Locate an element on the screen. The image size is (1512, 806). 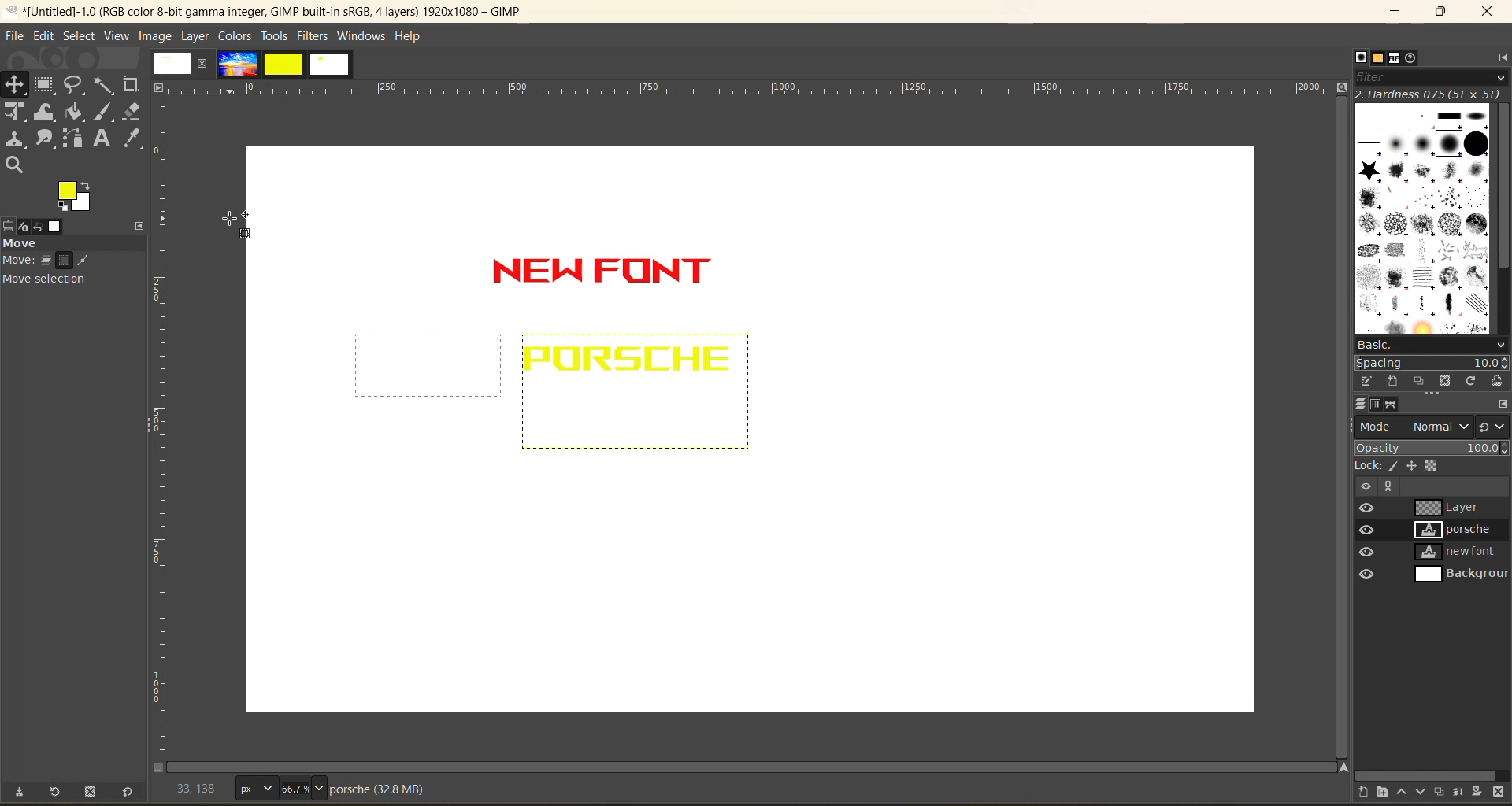
path tool is located at coordinates (73, 138).